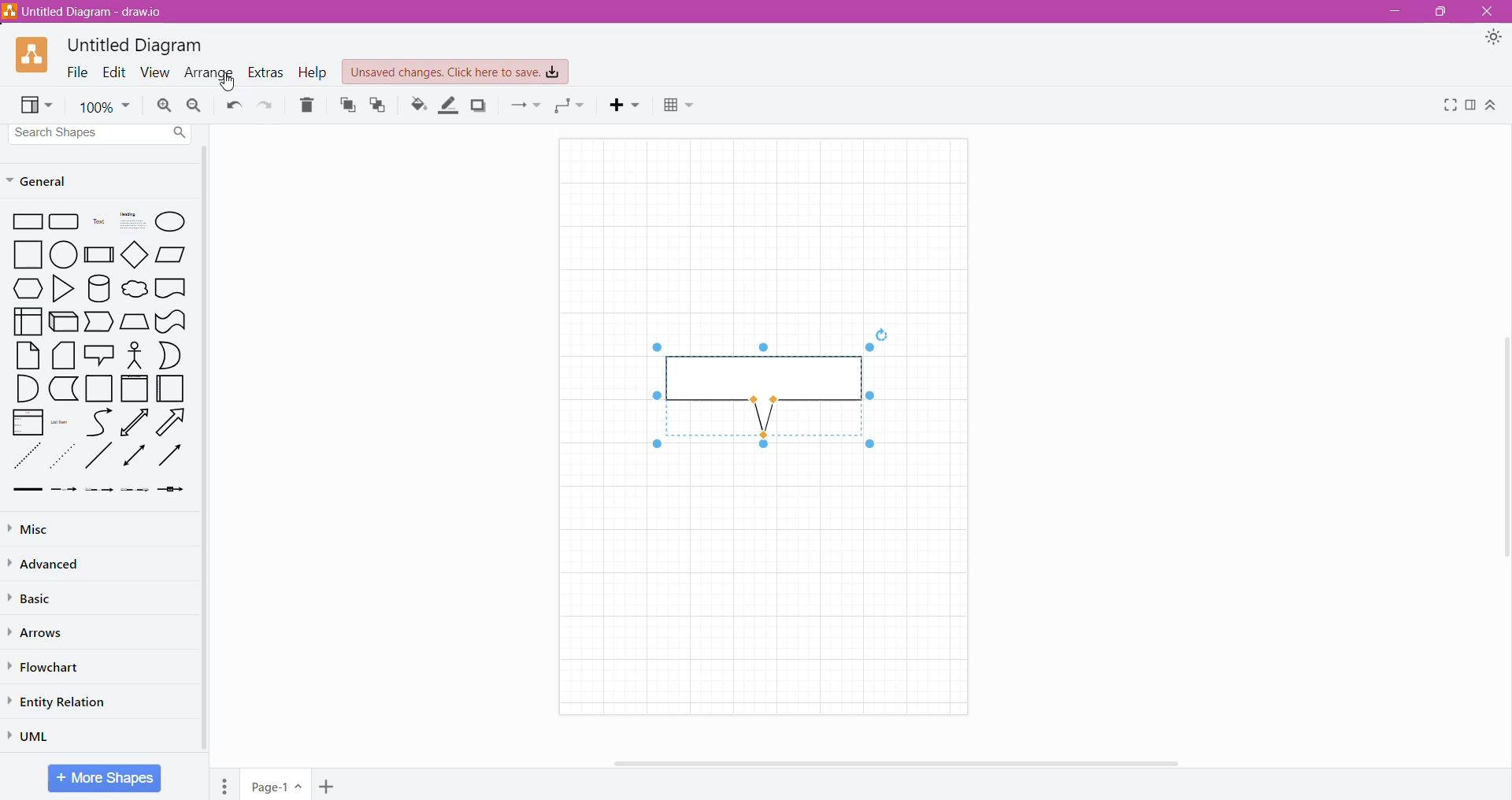  I want to click on Advanced, so click(47, 564).